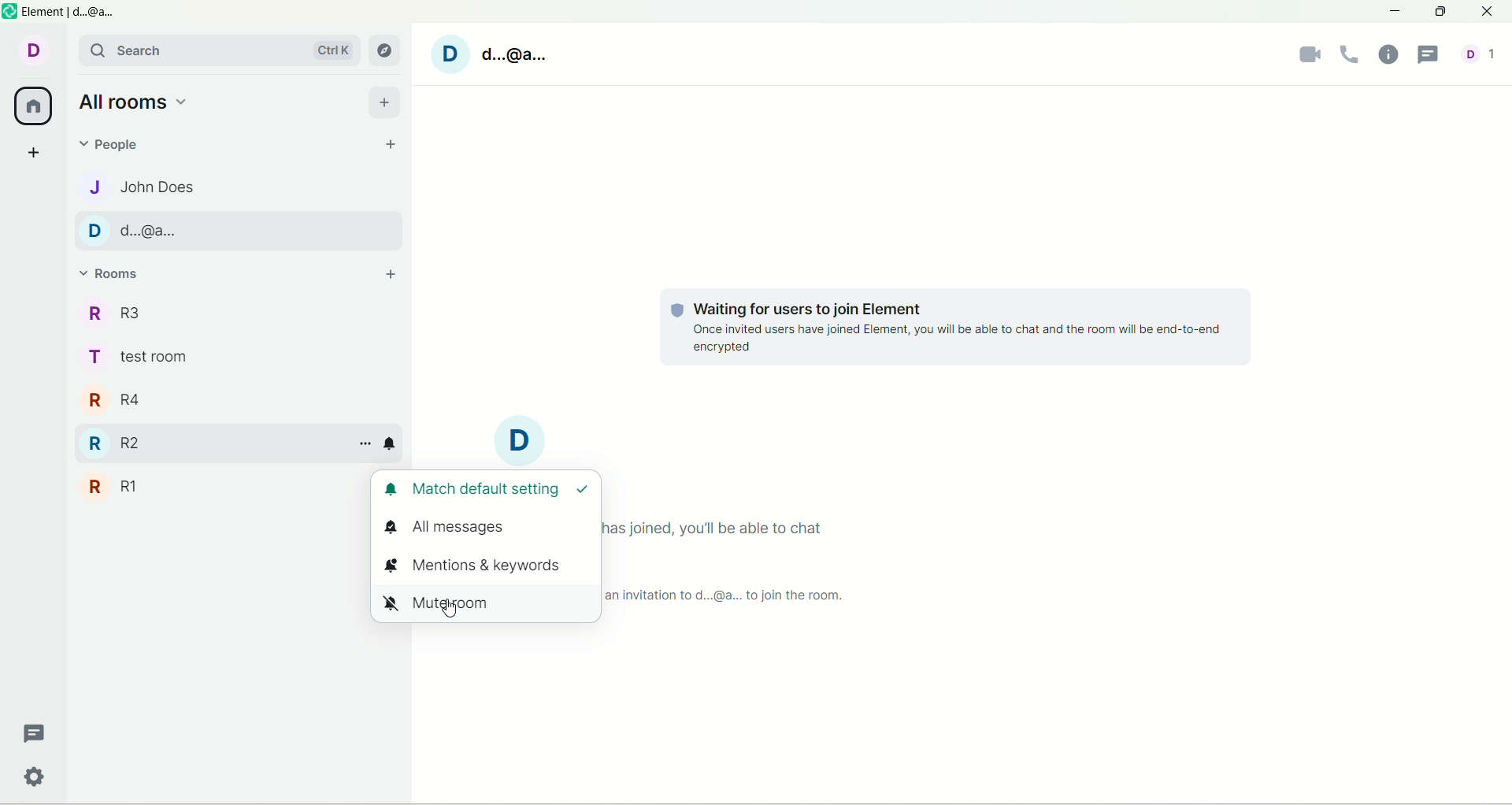  Describe the element at coordinates (147, 359) in the screenshot. I see `test room` at that location.